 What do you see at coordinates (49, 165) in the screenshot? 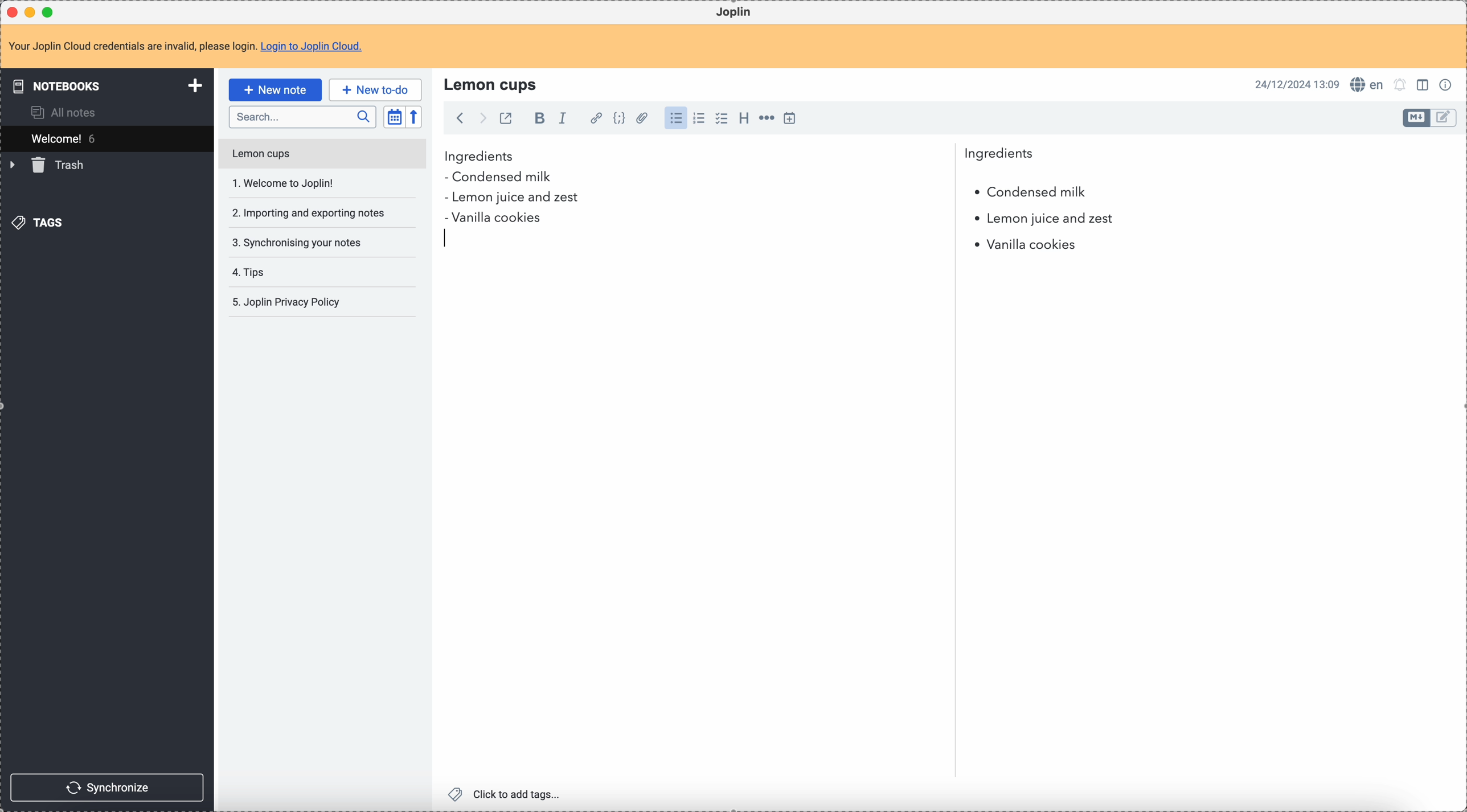
I see `trash` at bounding box center [49, 165].